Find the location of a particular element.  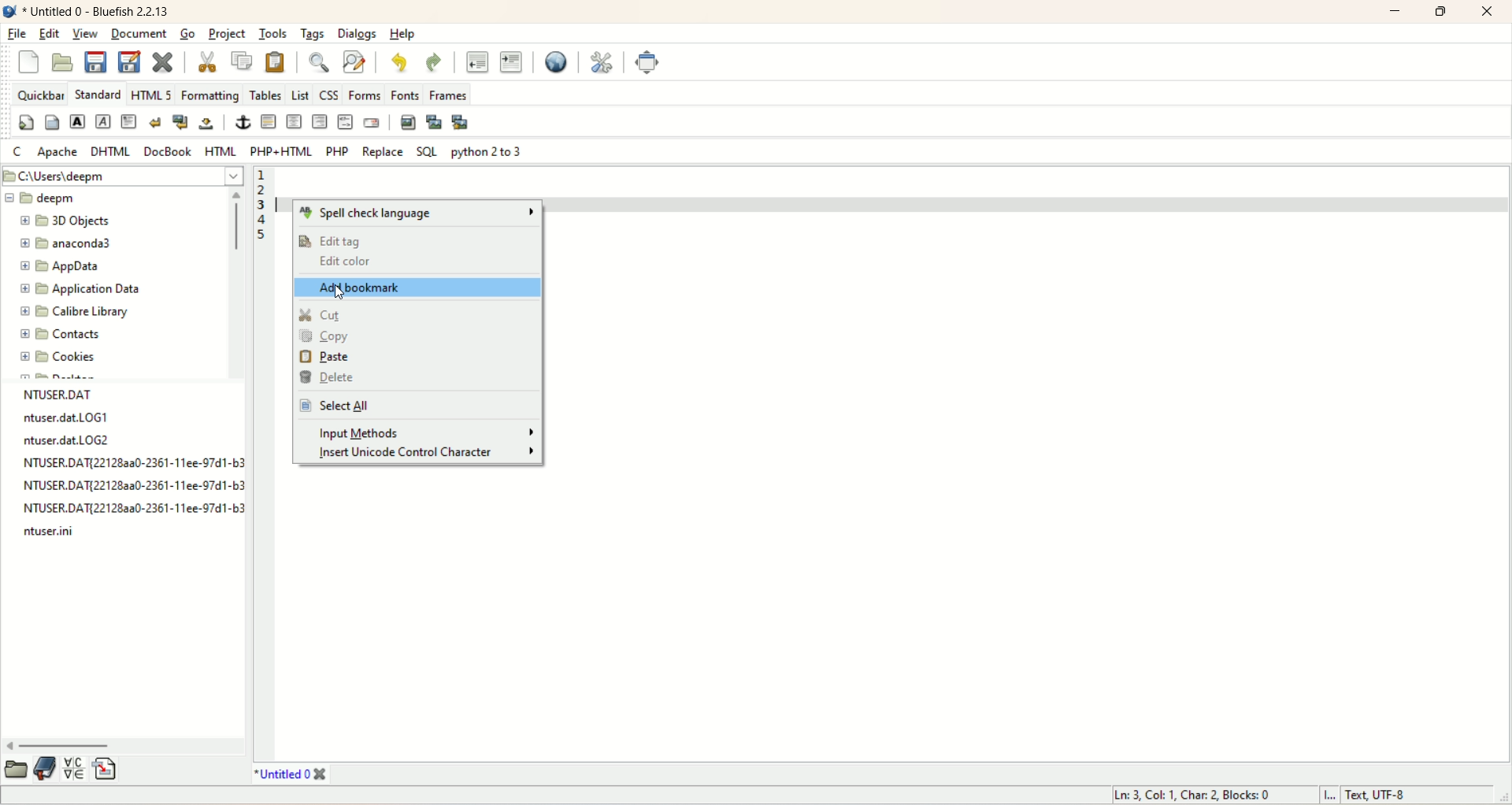

paragraph is located at coordinates (130, 121).